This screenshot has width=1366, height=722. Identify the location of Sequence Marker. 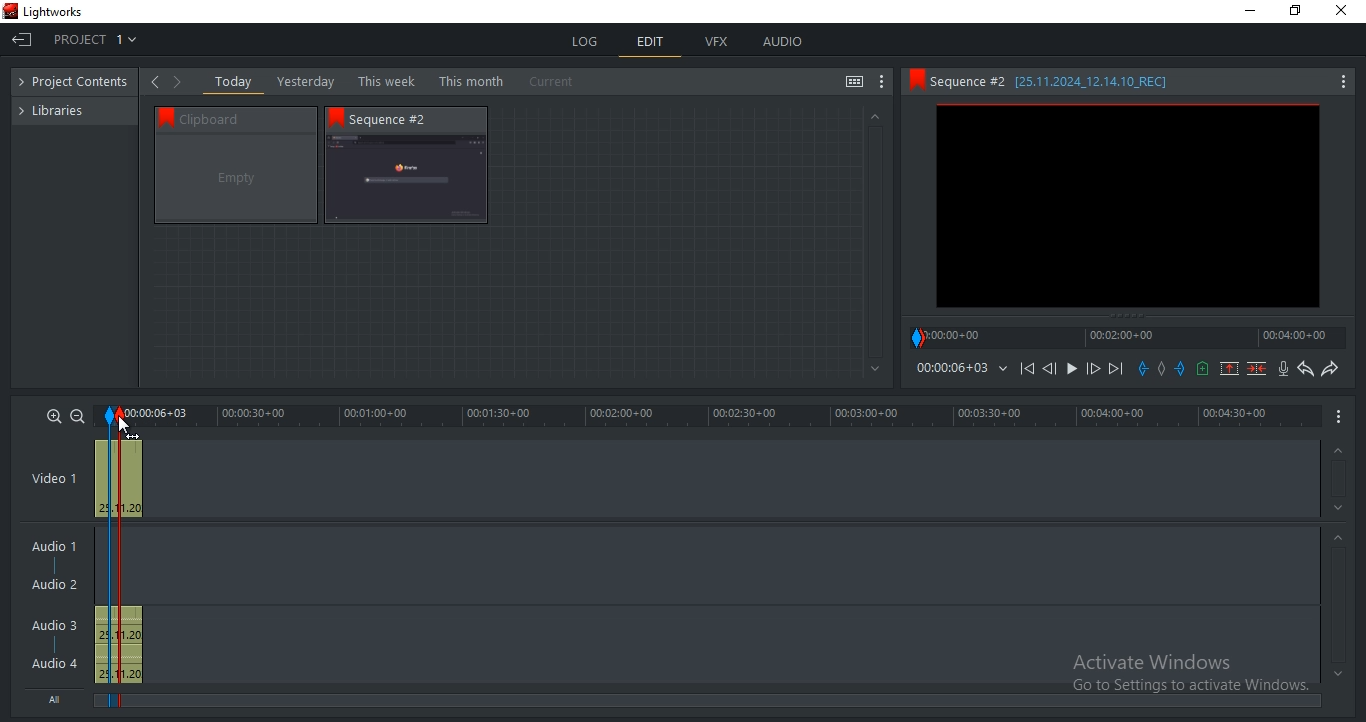
(108, 559).